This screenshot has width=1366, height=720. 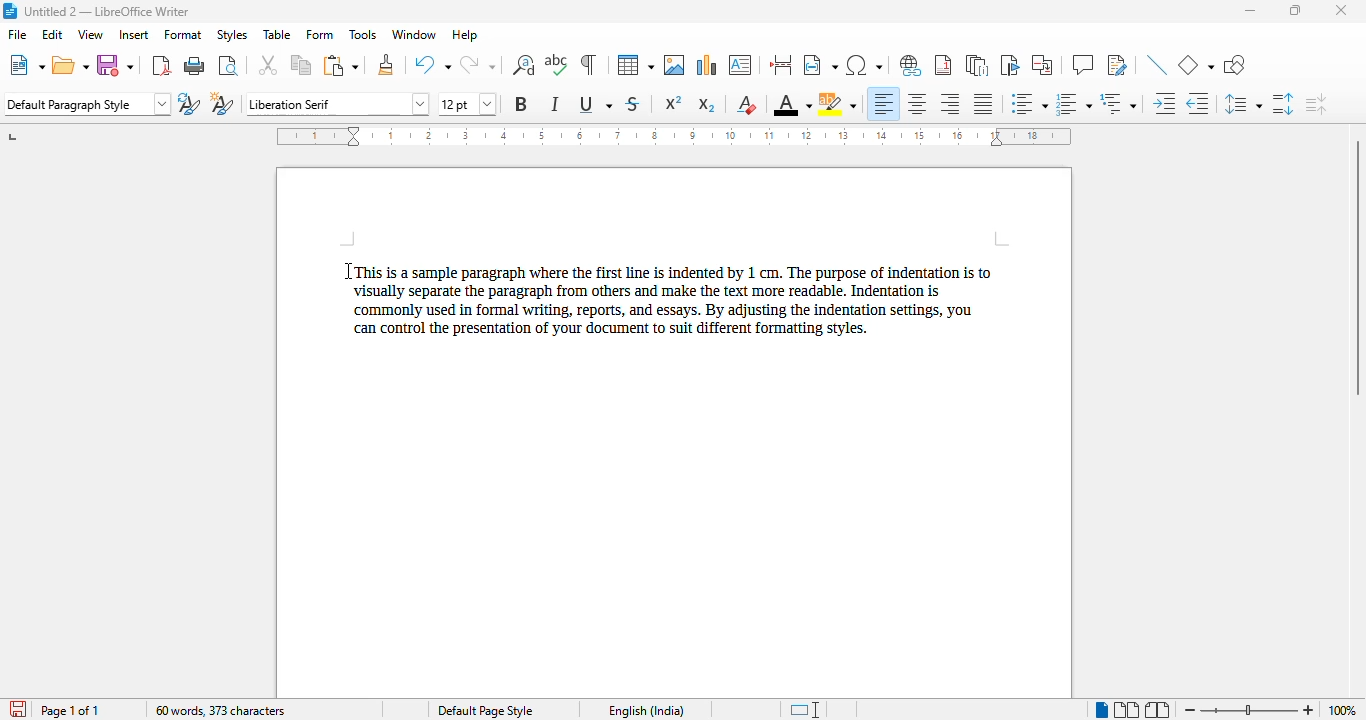 What do you see at coordinates (1252, 710) in the screenshot?
I see `zoom slider` at bounding box center [1252, 710].